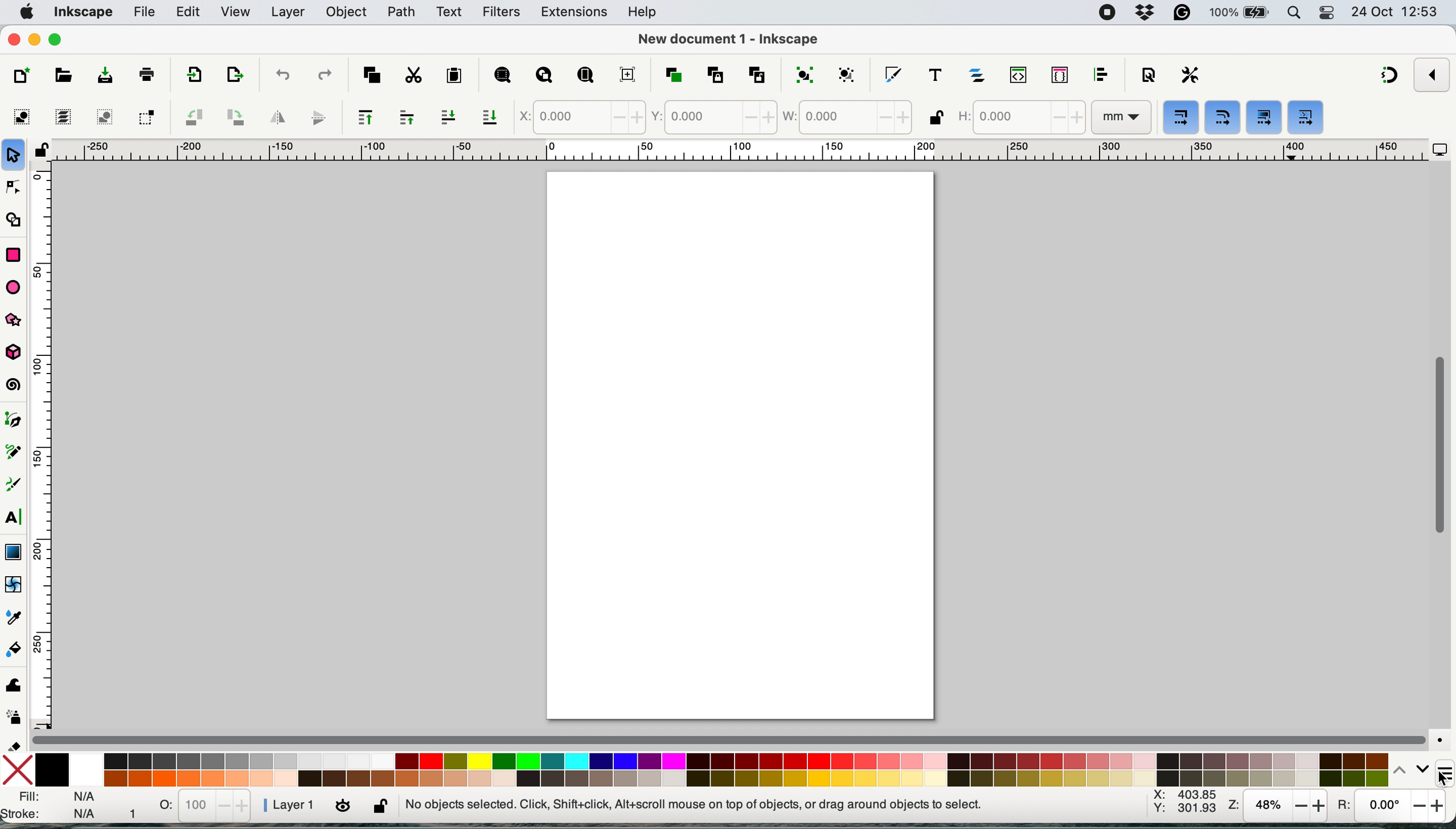 The width and height of the screenshot is (1456, 829). What do you see at coordinates (18, 771) in the screenshot?
I see `no fill` at bounding box center [18, 771].